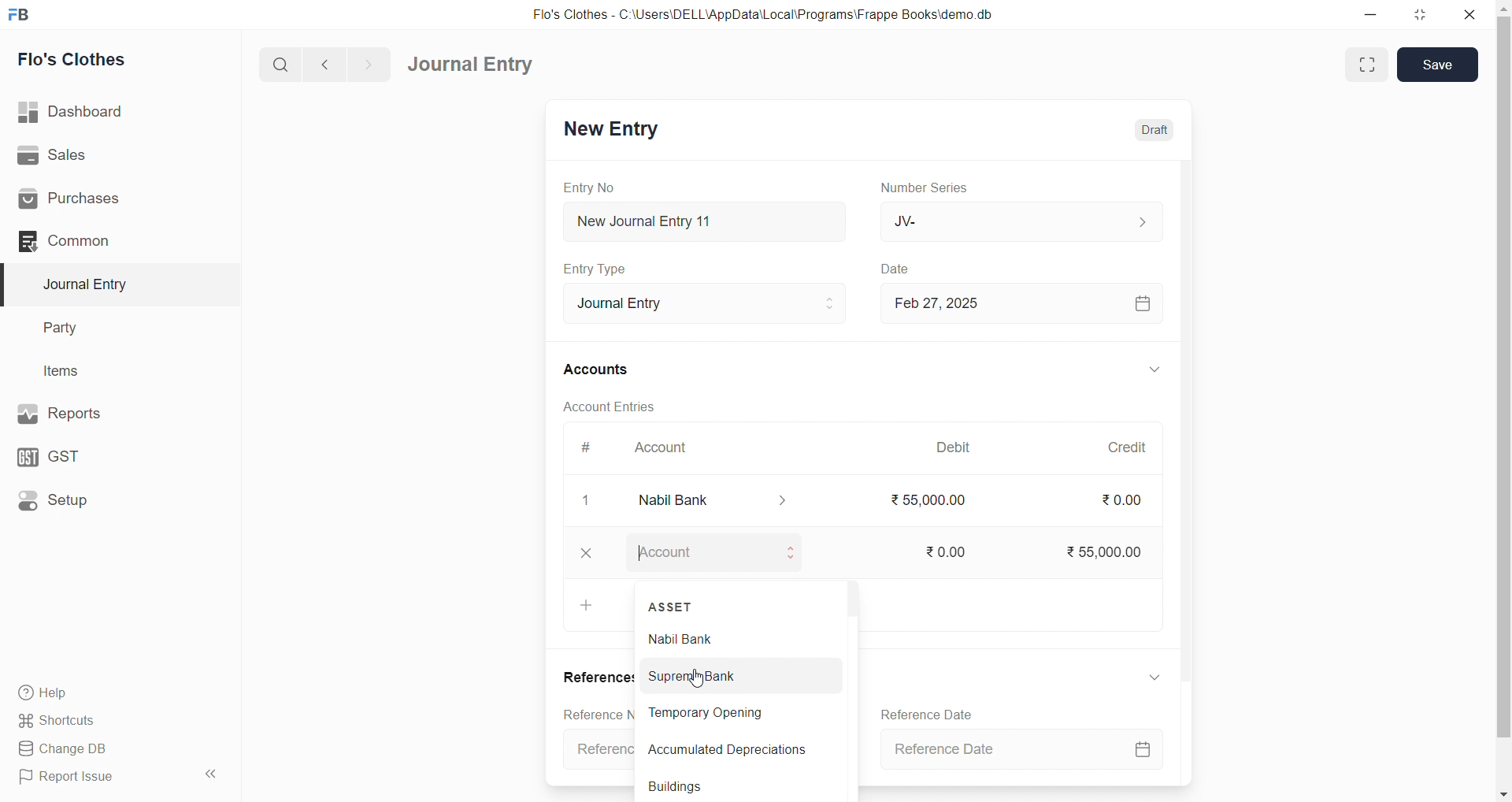 Image resolution: width=1512 pixels, height=802 pixels. What do you see at coordinates (90, 284) in the screenshot?
I see `Journal Entry` at bounding box center [90, 284].